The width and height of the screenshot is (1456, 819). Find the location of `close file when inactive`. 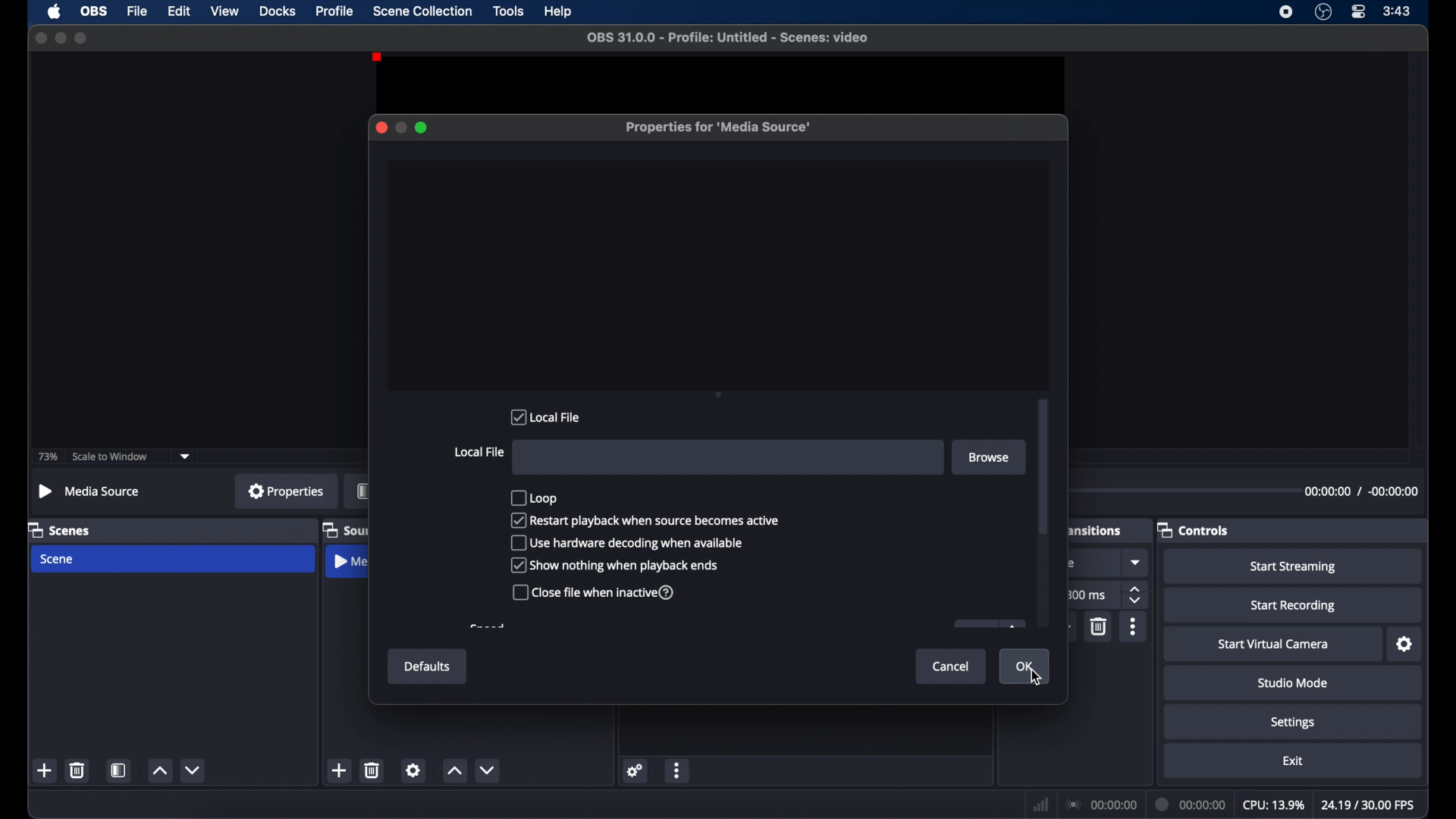

close file when inactive is located at coordinates (595, 591).